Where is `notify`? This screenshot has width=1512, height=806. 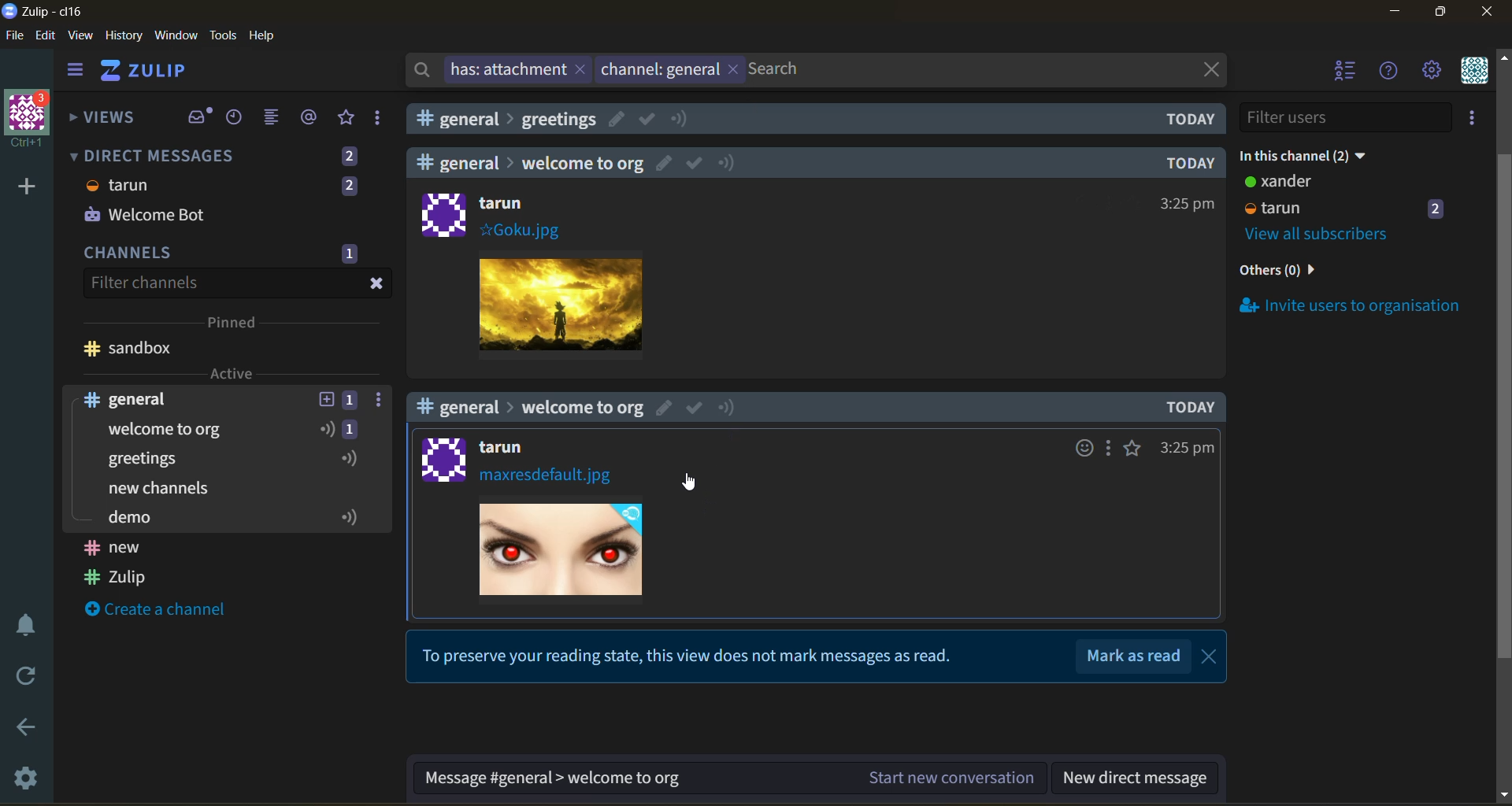
notify is located at coordinates (676, 118).